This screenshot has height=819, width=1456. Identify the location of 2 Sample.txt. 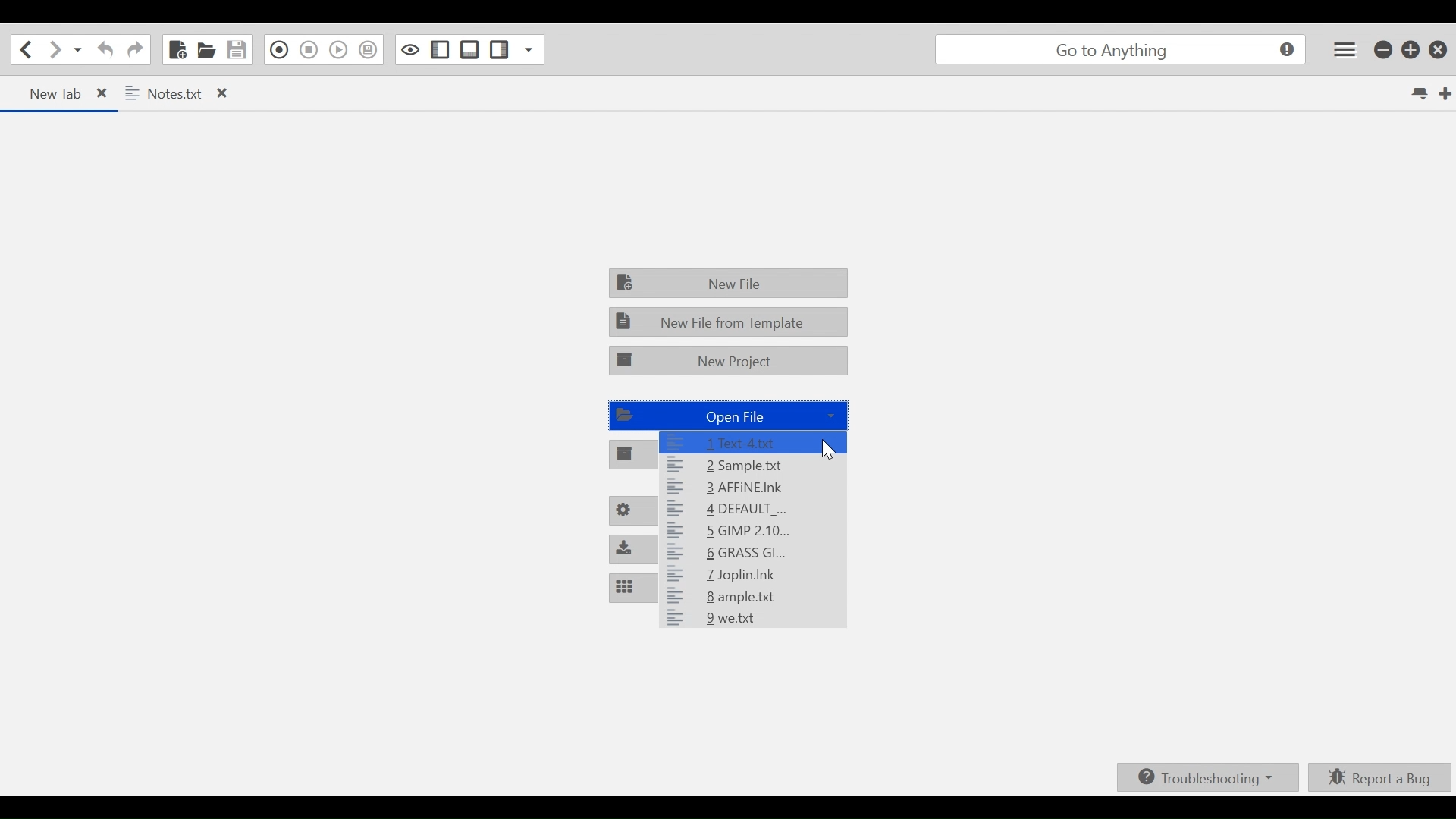
(751, 465).